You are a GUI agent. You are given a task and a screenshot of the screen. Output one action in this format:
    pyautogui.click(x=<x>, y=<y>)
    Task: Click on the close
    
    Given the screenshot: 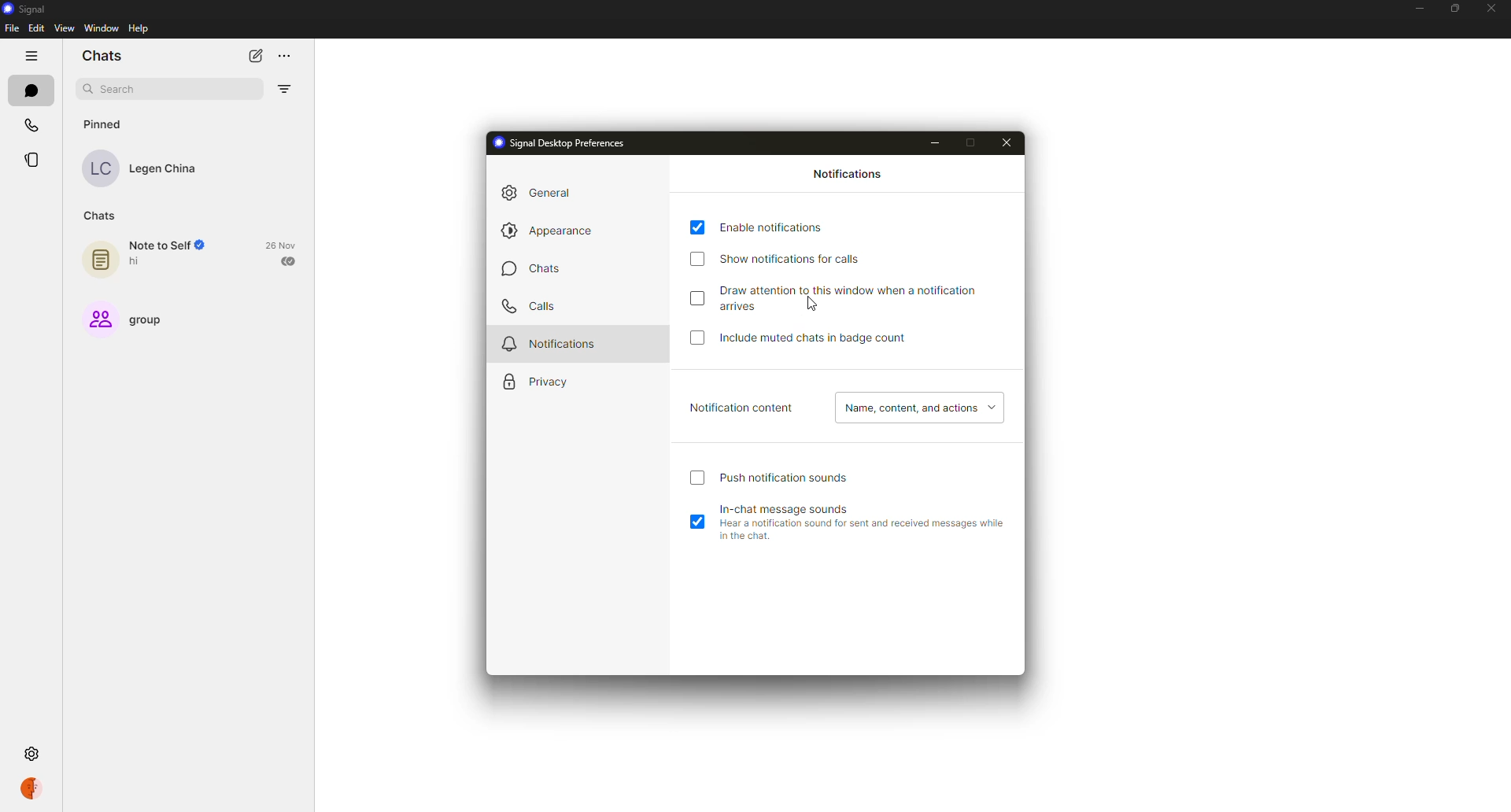 What is the action you would take?
    pyautogui.click(x=1492, y=9)
    